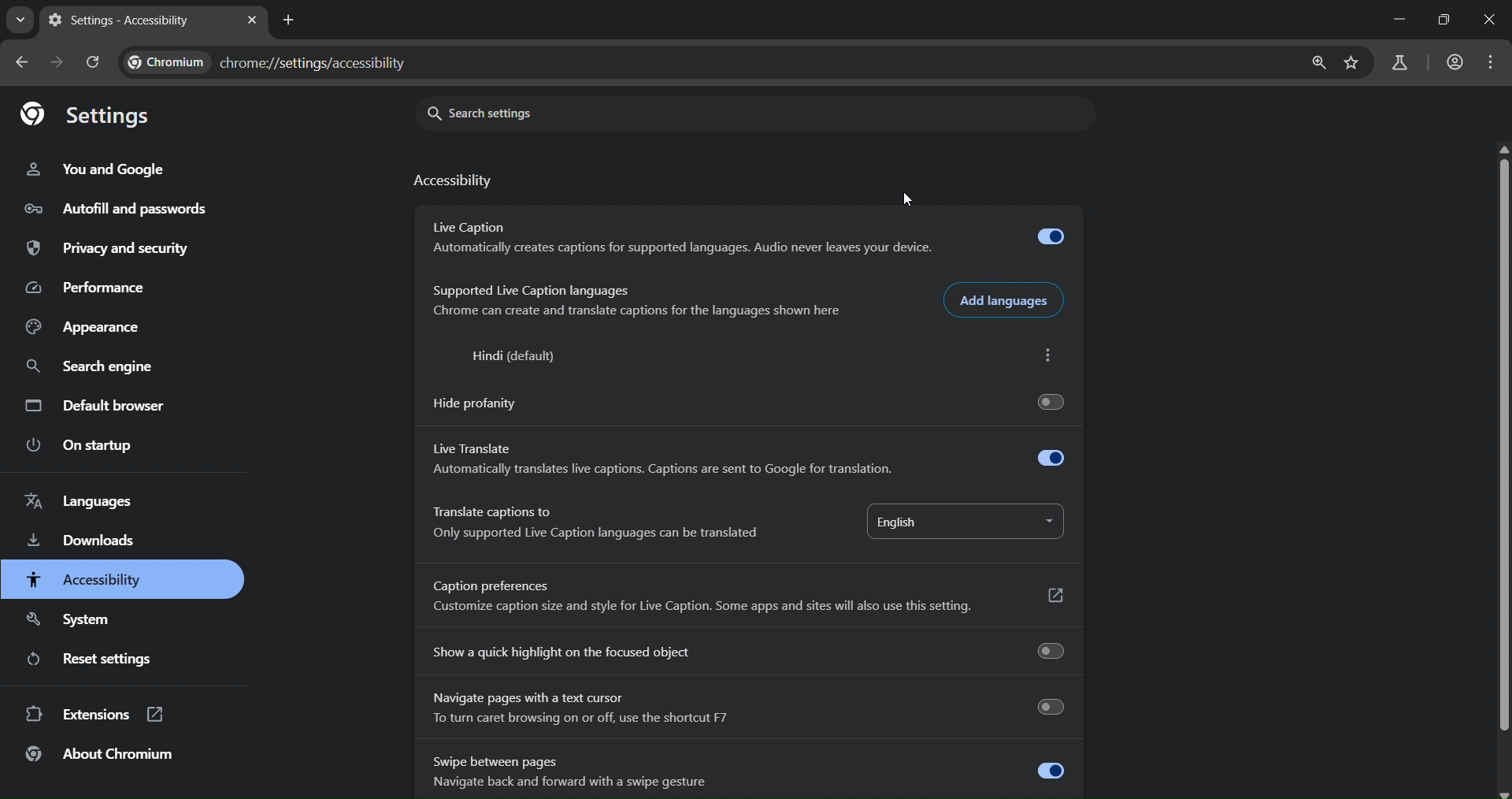 This screenshot has width=1512, height=799. What do you see at coordinates (83, 543) in the screenshot?
I see `downloads` at bounding box center [83, 543].